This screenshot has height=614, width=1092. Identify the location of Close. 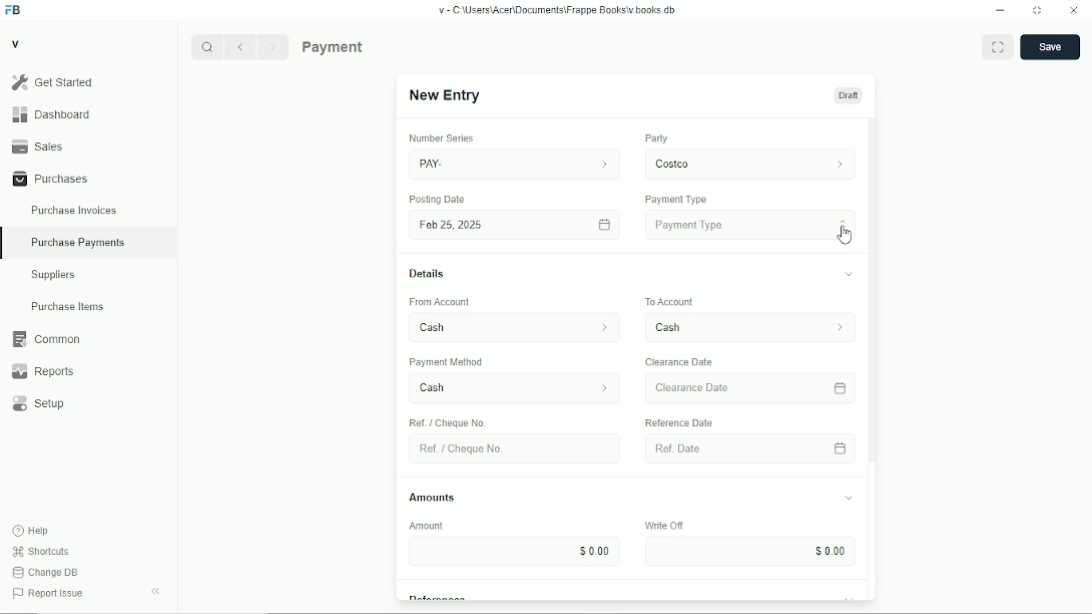
(1074, 10).